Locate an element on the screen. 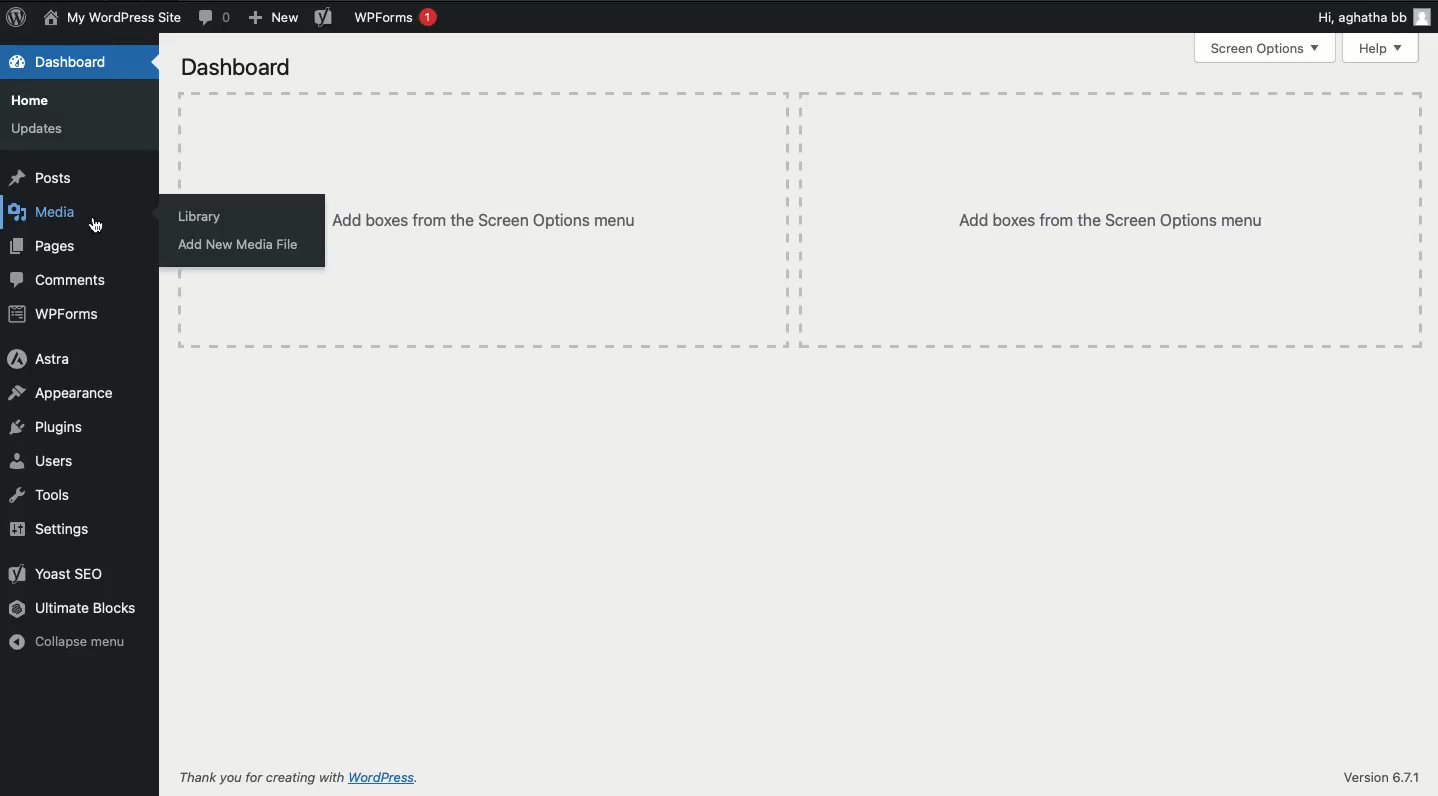 This screenshot has width=1438, height=796. Hi users is located at coordinates (1376, 18).